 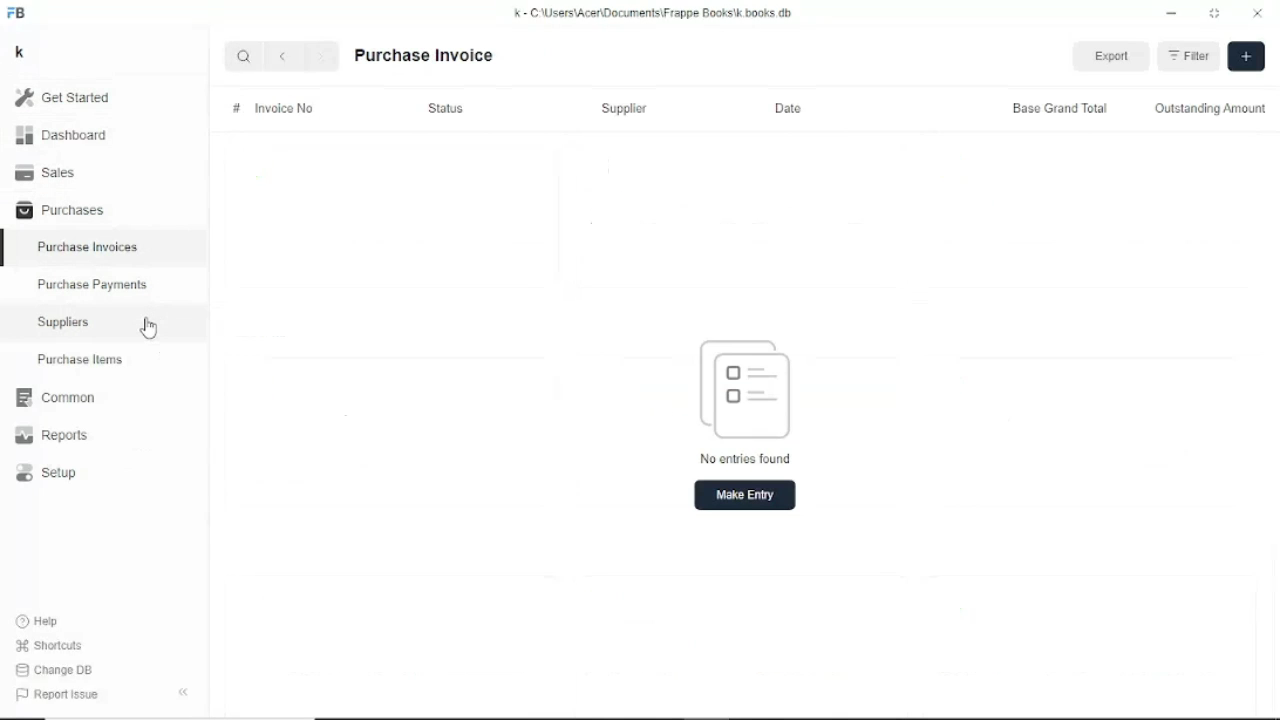 What do you see at coordinates (150, 329) in the screenshot?
I see `Cursor` at bounding box center [150, 329].